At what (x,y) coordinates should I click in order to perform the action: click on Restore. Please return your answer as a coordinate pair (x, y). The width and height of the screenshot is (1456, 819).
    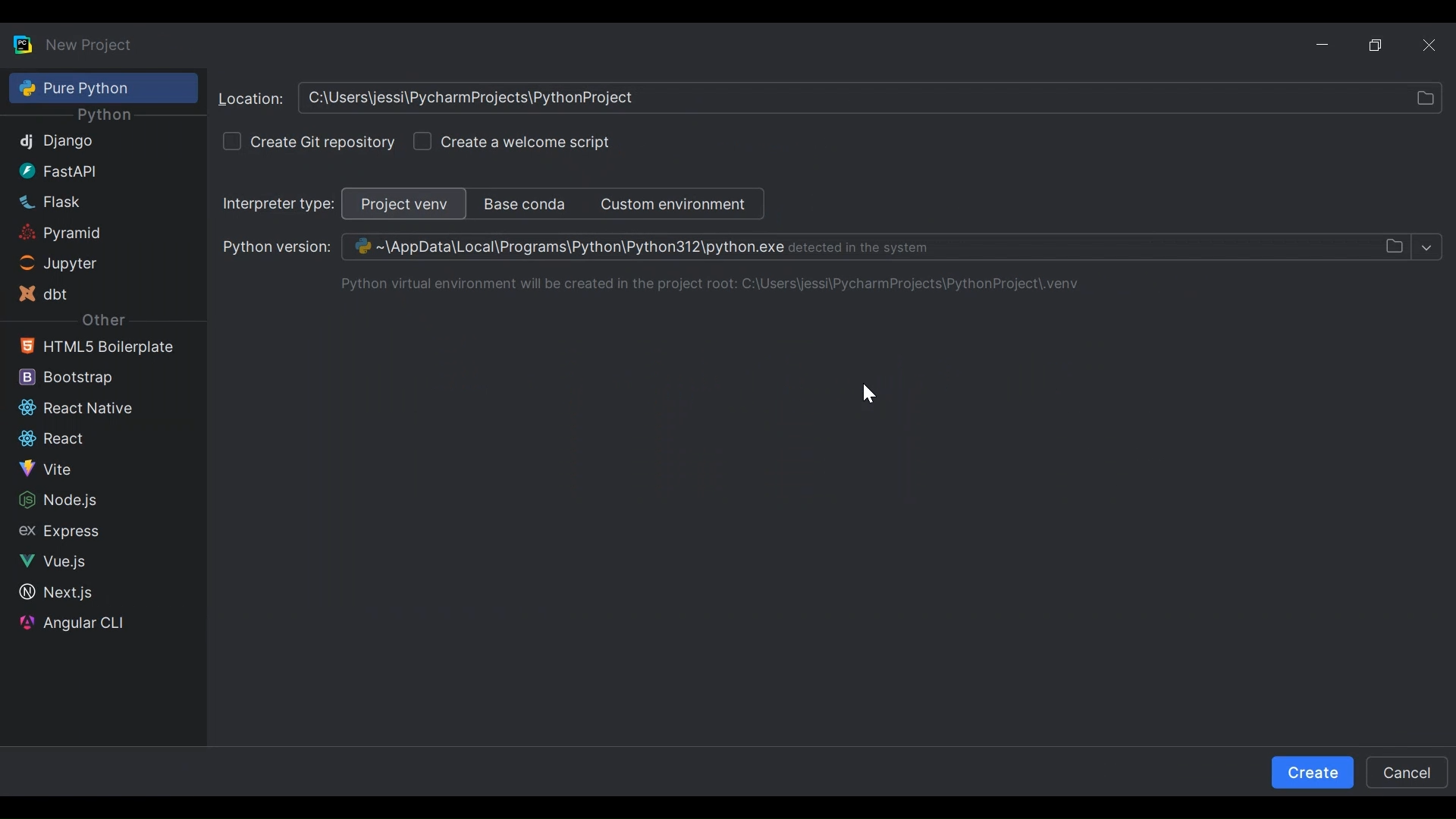
    Looking at the image, I should click on (1378, 44).